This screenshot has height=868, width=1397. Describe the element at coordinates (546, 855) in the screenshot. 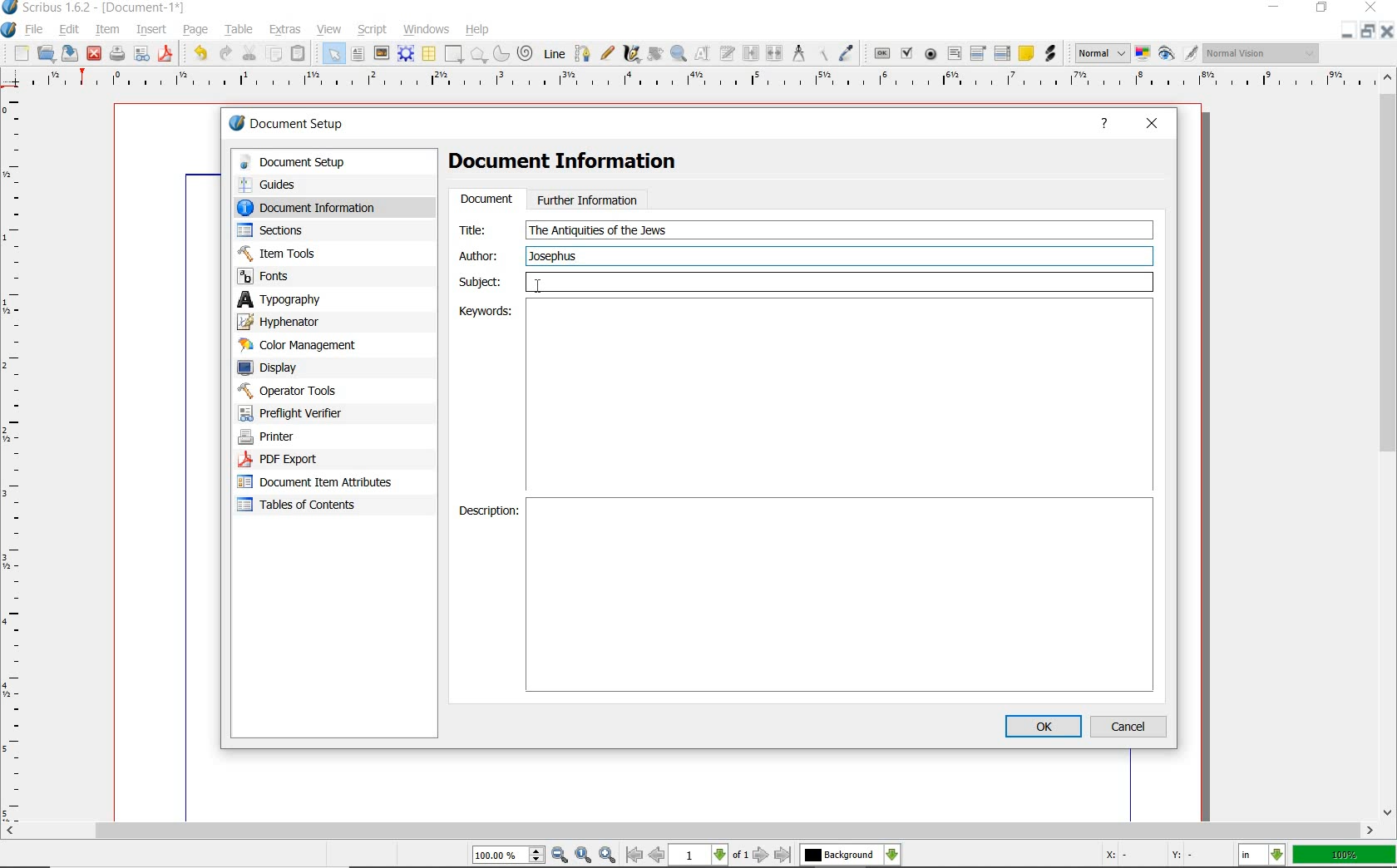

I see `zoom in/zoom to/zoom out` at that location.